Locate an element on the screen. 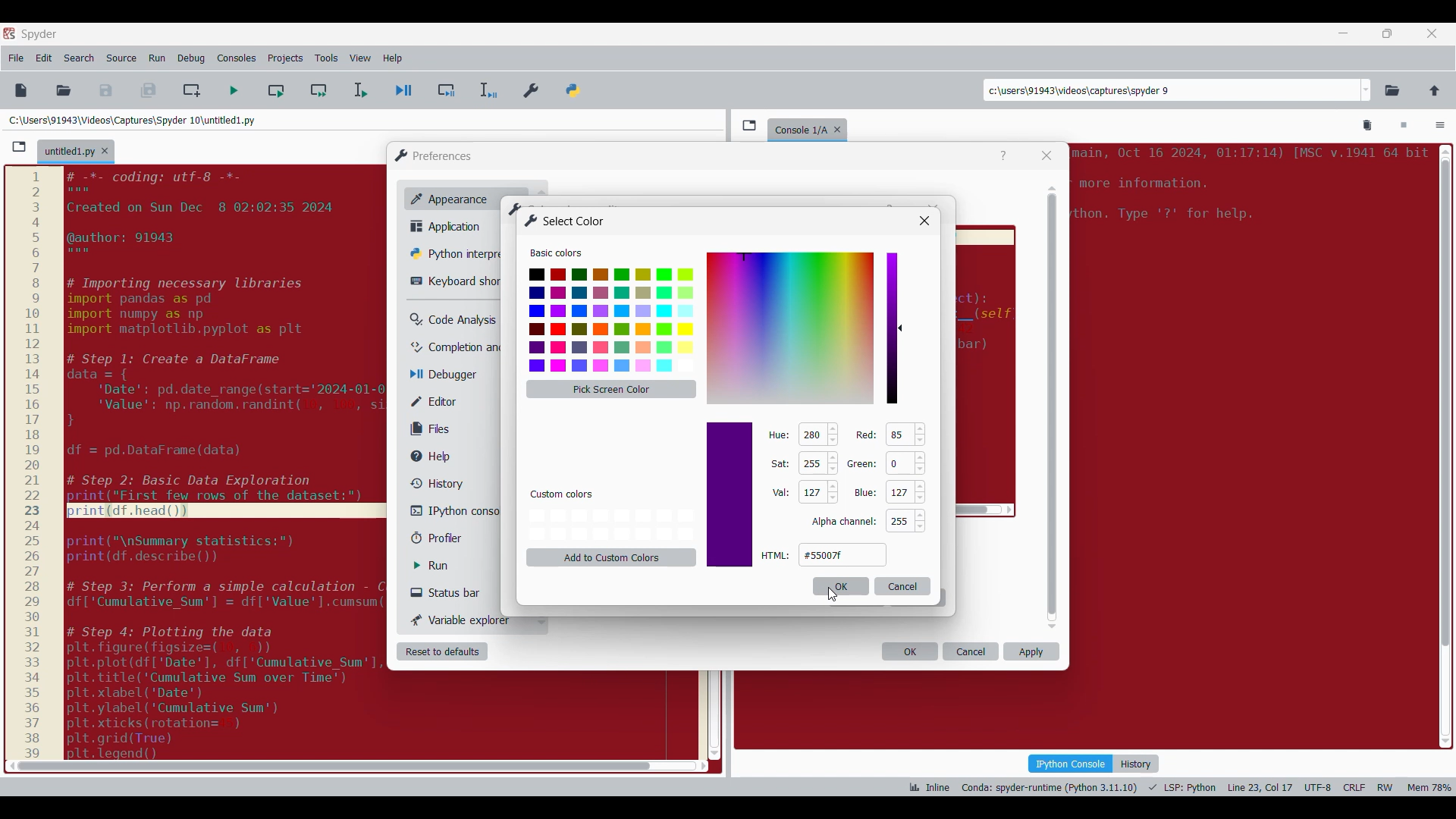 Image resolution: width=1456 pixels, height=819 pixels. Keyboard shortcut is located at coordinates (455, 281).